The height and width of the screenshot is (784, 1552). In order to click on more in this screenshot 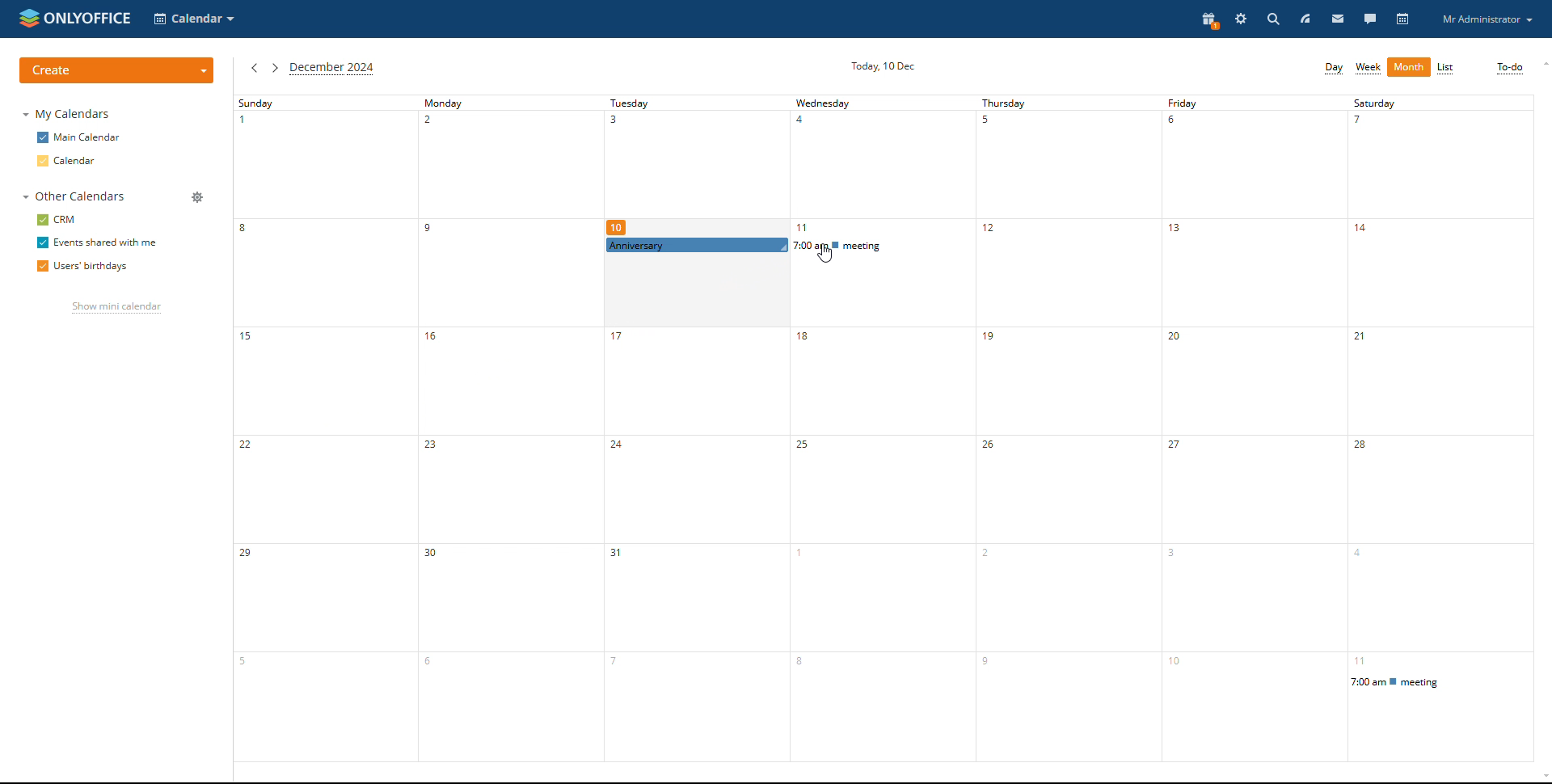, I will do `click(1409, 70)`.